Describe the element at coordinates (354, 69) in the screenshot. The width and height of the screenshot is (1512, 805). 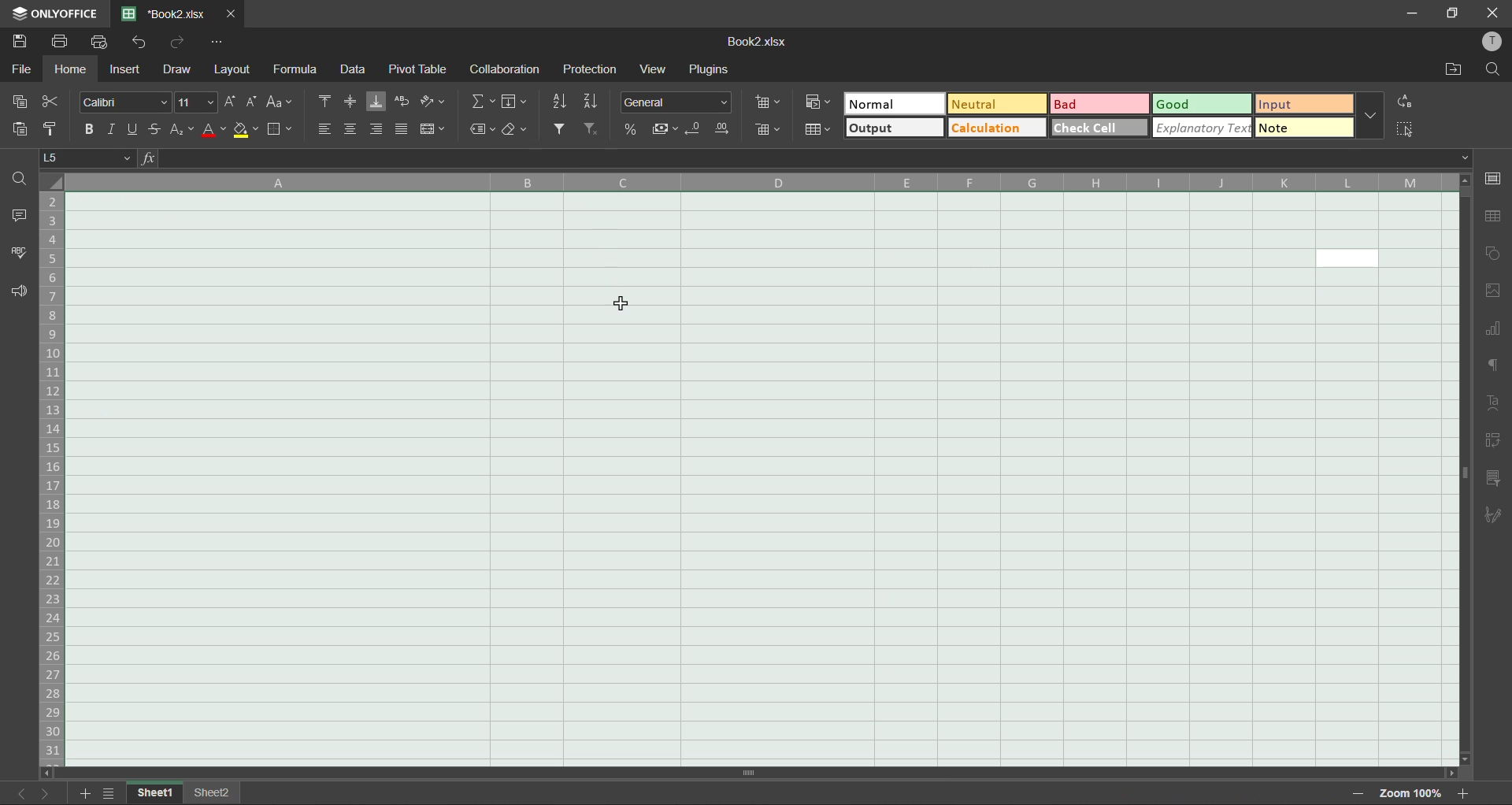
I see `data` at that location.